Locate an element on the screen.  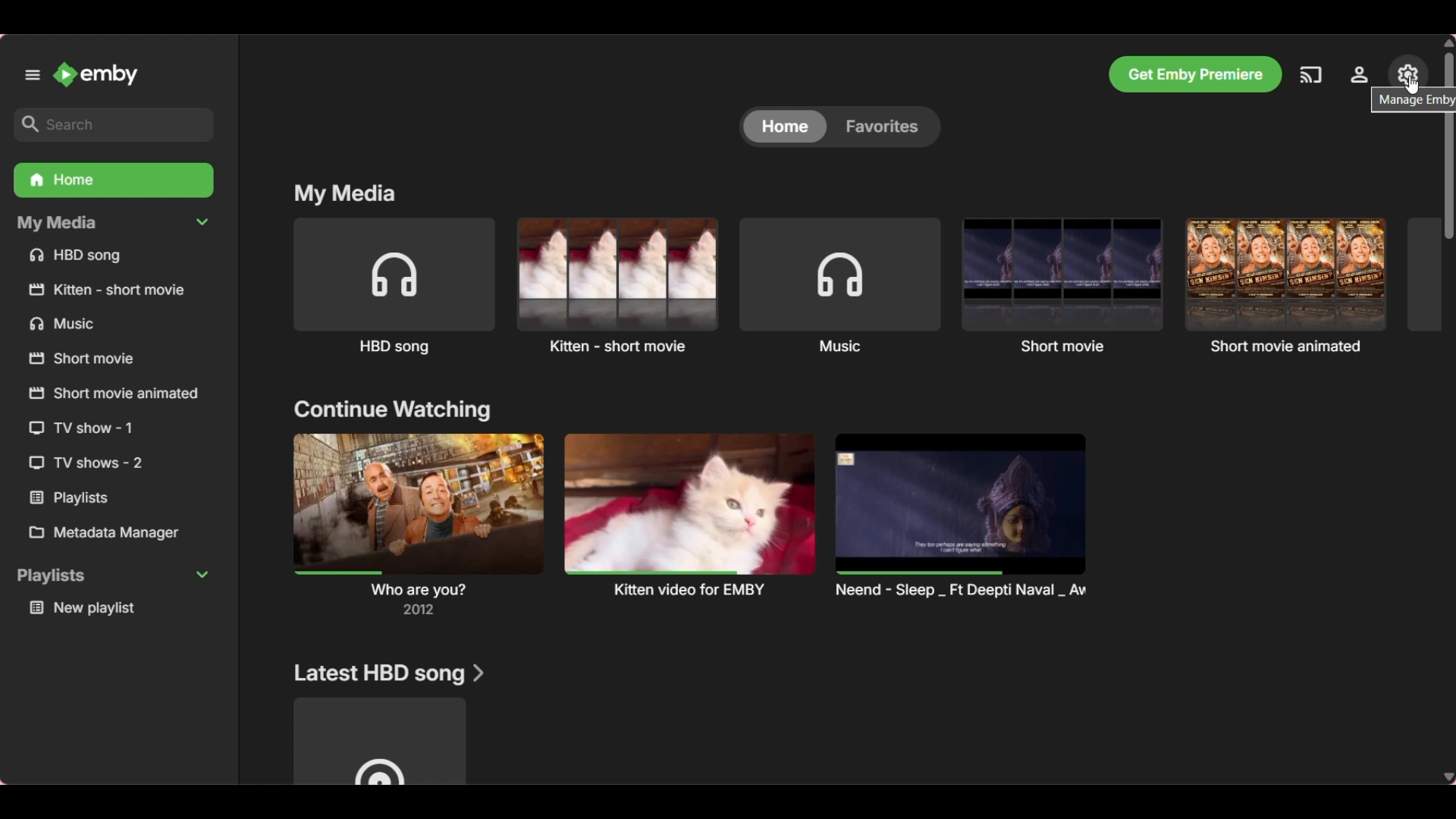
Settings is located at coordinates (1359, 74).